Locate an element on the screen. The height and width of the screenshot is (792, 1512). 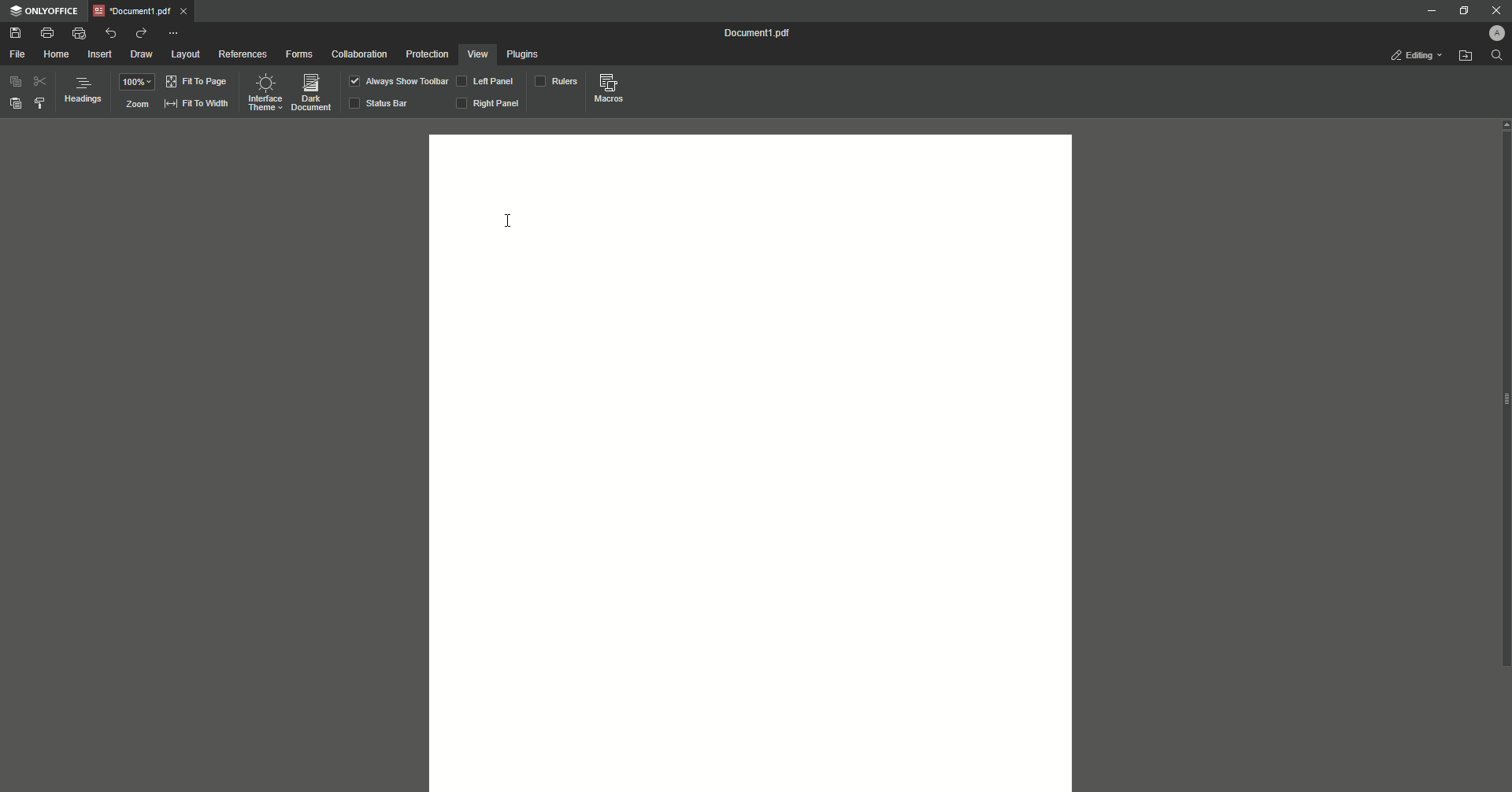
Cut is located at coordinates (39, 82).